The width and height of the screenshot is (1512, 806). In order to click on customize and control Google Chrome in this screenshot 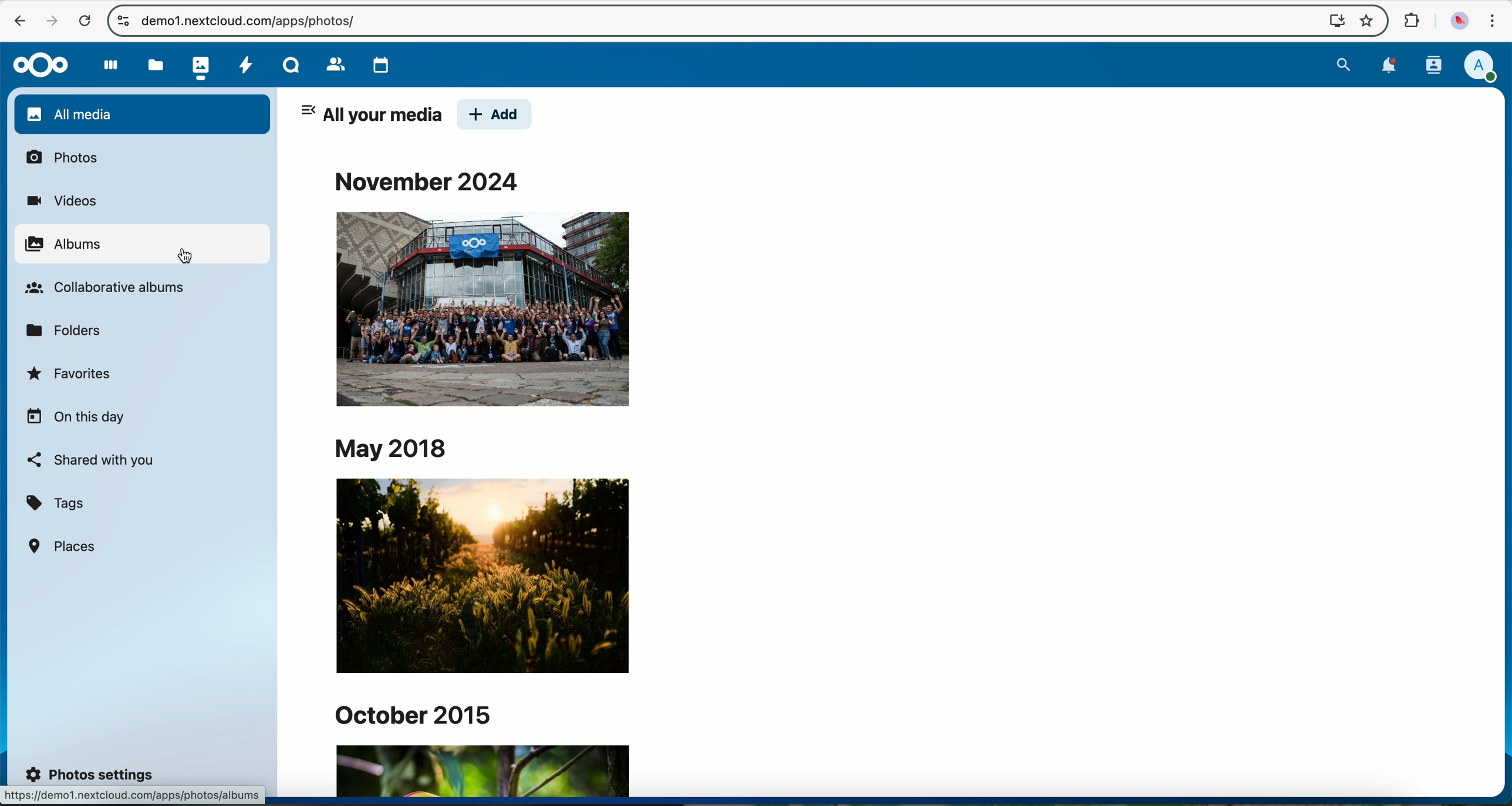, I will do `click(1491, 23)`.